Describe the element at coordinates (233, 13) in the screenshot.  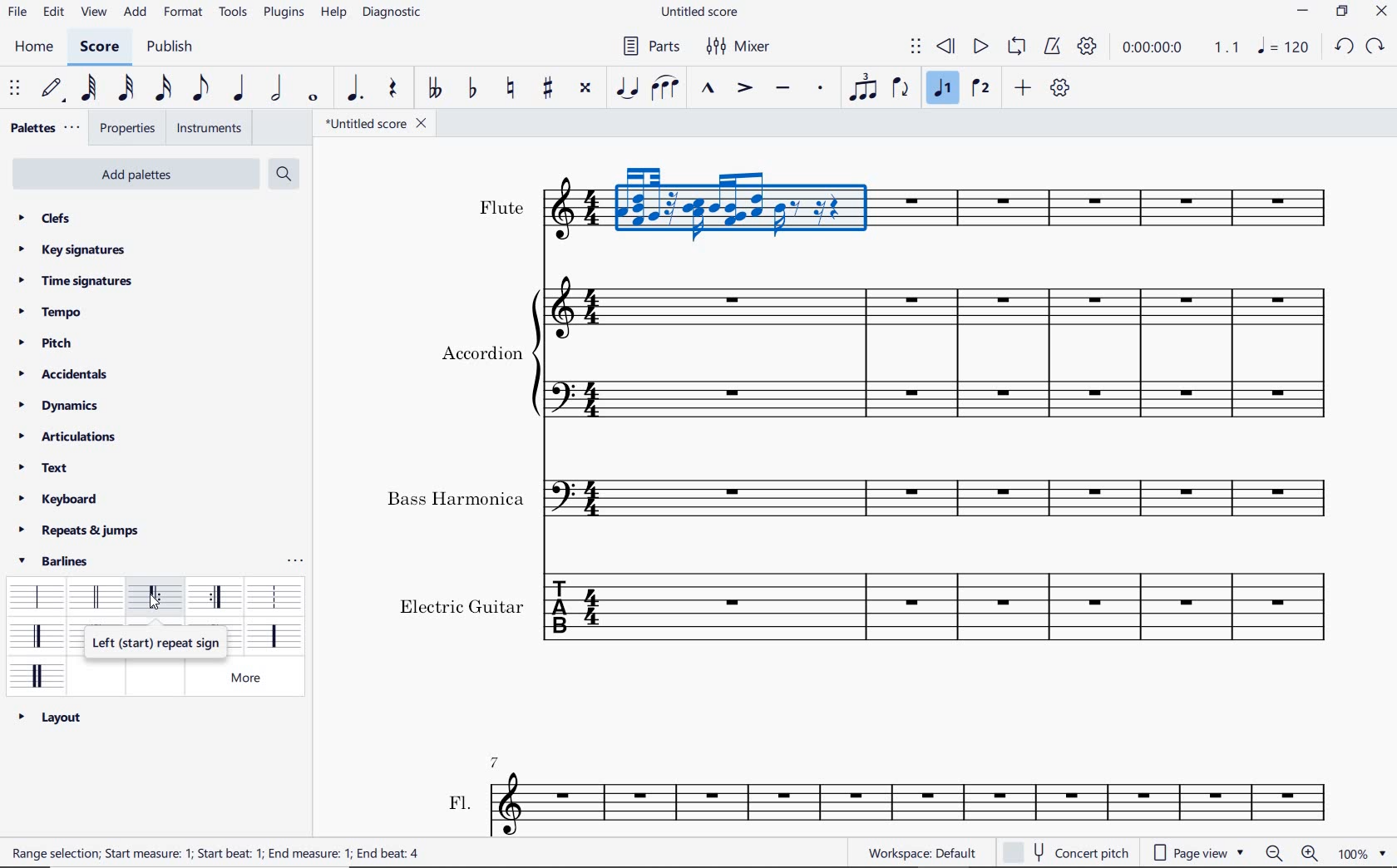
I see `tools` at that location.